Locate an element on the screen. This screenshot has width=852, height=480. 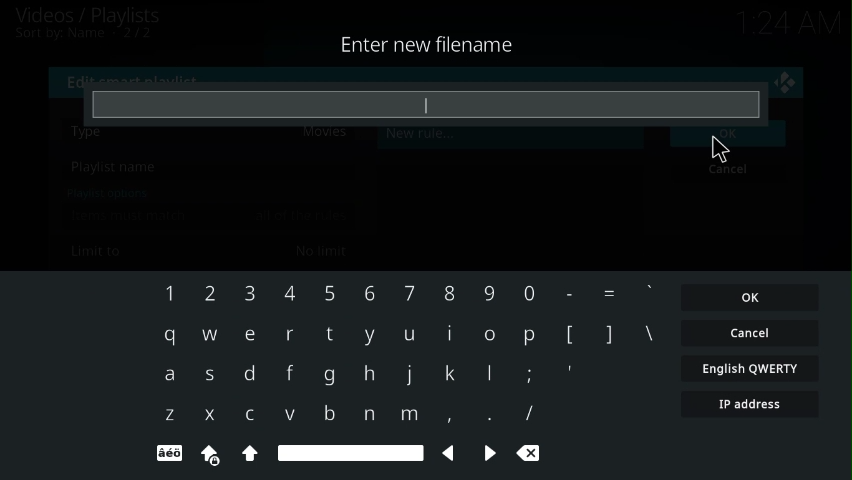
type is located at coordinates (96, 132).